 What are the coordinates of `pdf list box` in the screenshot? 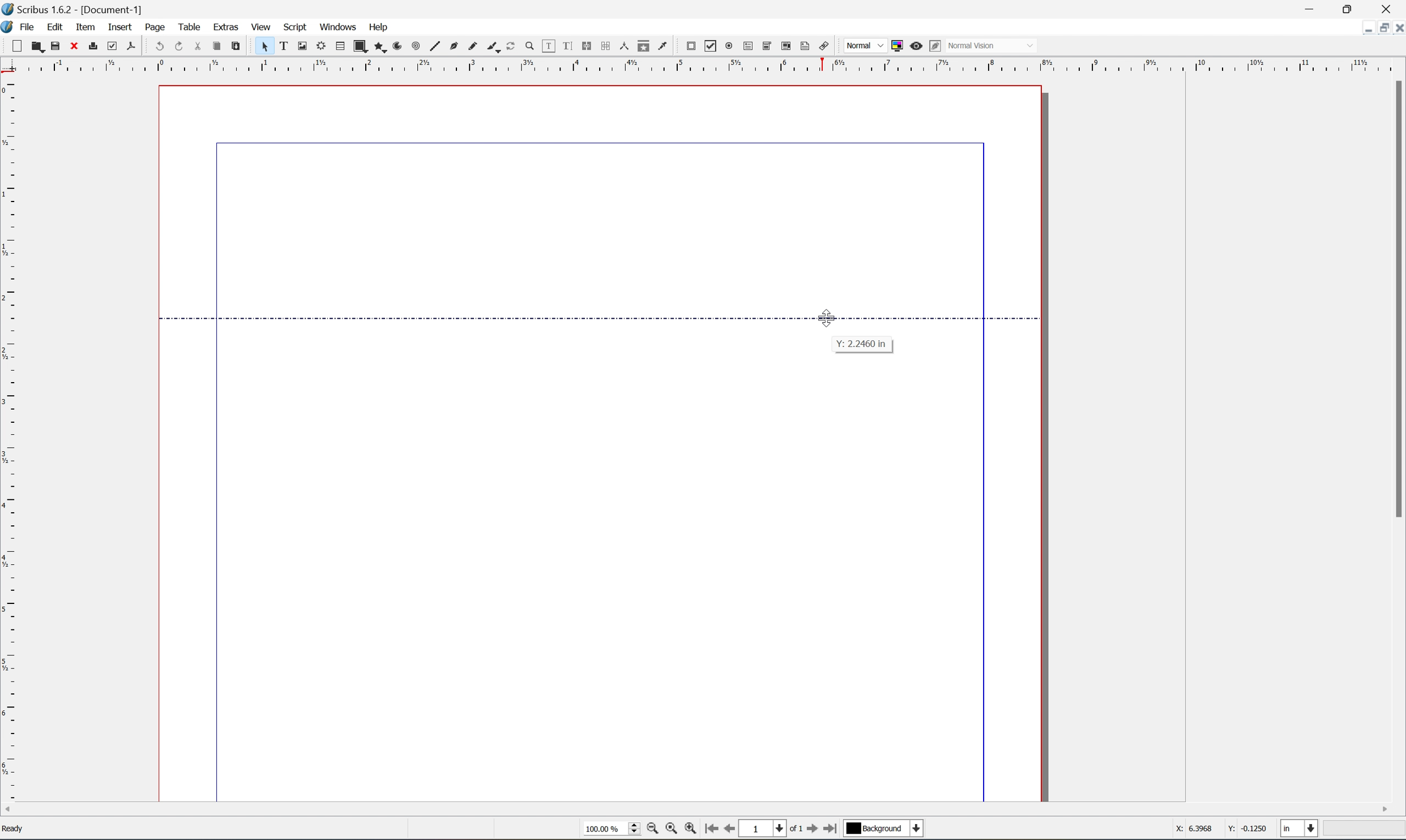 It's located at (788, 46).